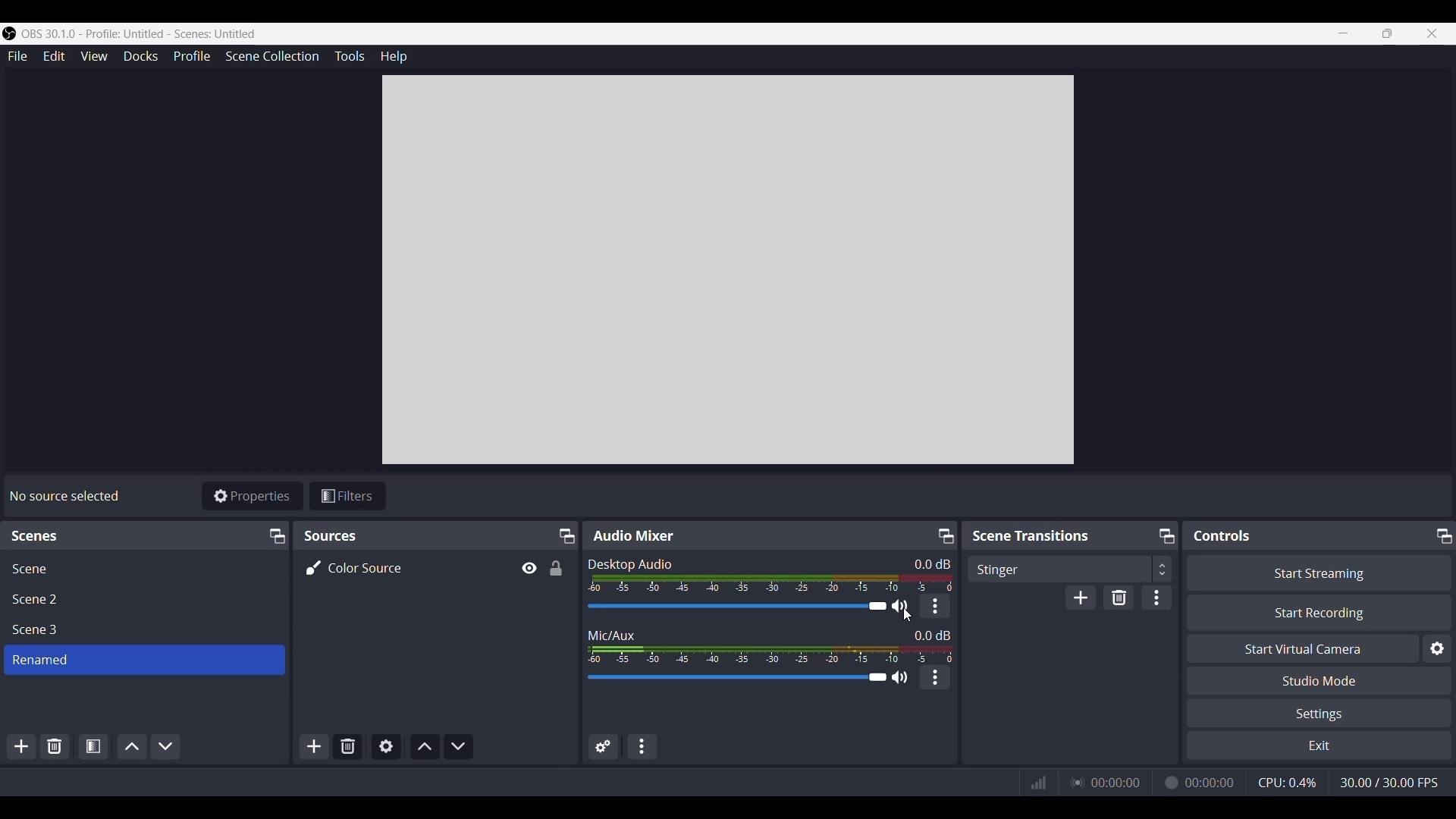 Image resolution: width=1456 pixels, height=819 pixels. Describe the element at coordinates (55, 748) in the screenshot. I see `Delete selected scene` at that location.